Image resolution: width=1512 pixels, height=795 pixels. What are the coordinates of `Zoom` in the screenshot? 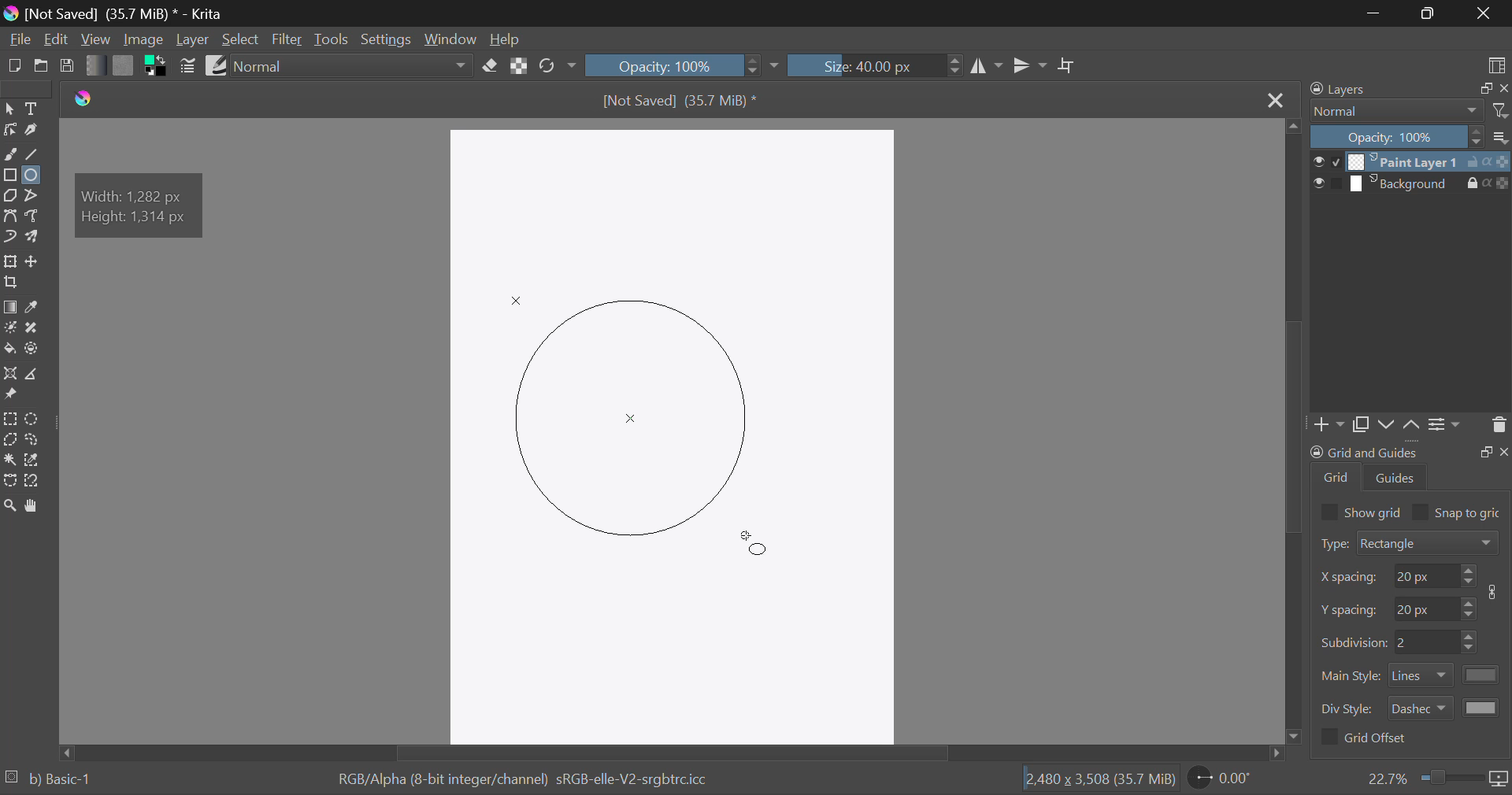 It's located at (10, 505).